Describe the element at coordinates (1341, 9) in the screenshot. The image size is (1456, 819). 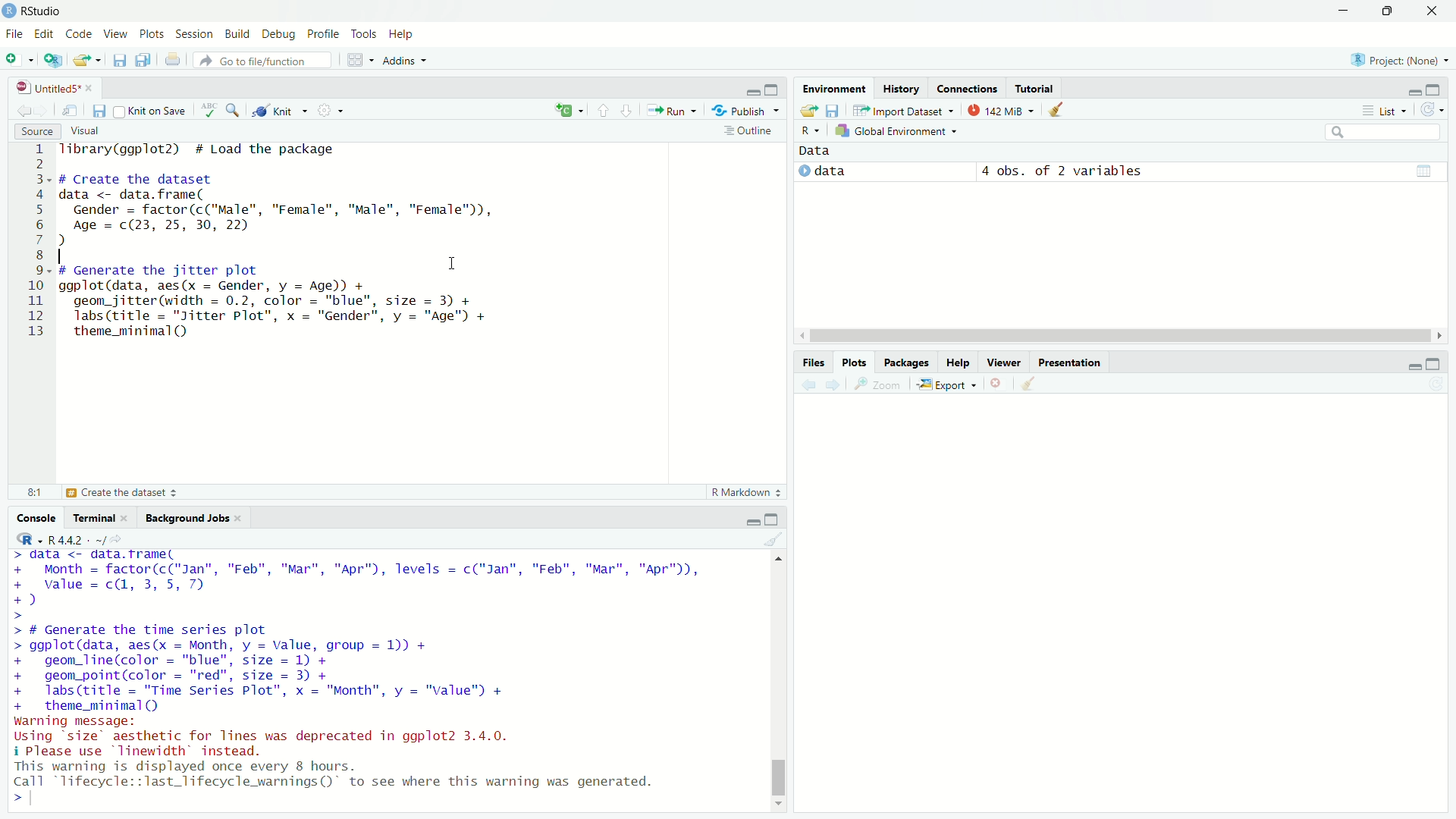
I see `minimize` at that location.